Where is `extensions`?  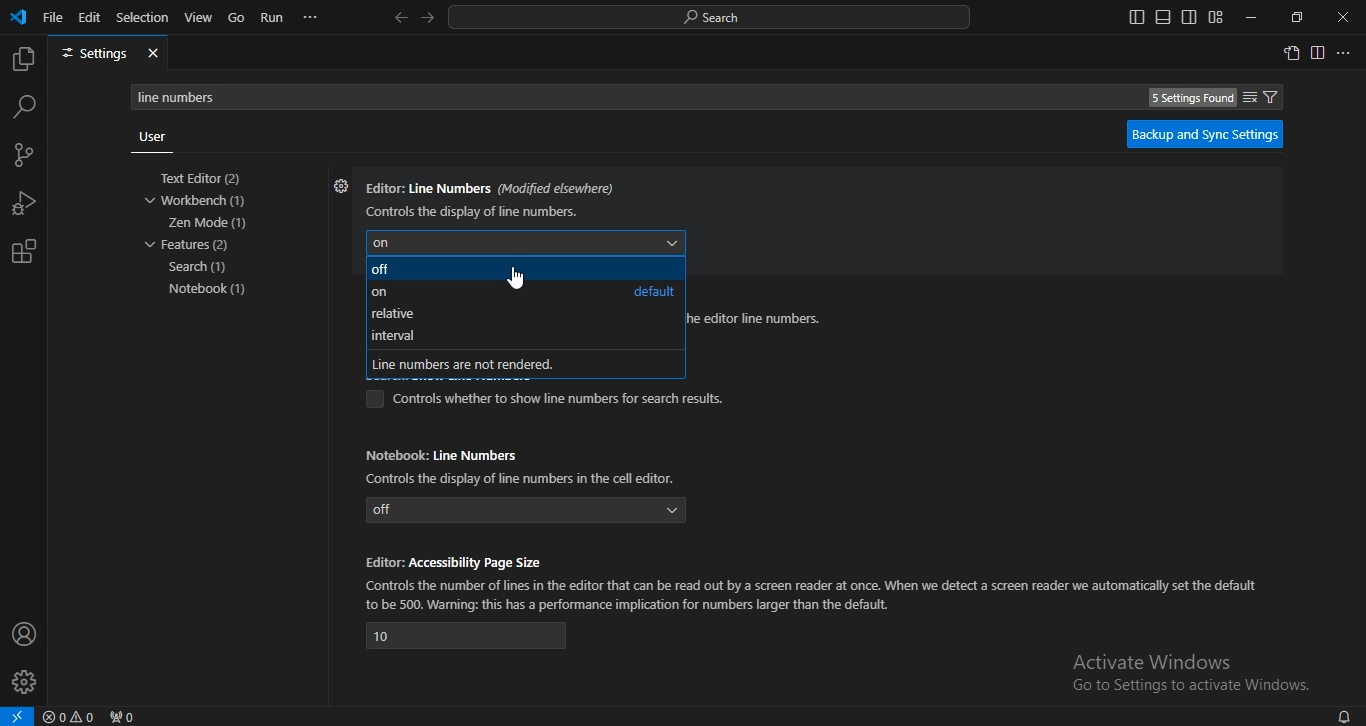
extensions is located at coordinates (23, 252).